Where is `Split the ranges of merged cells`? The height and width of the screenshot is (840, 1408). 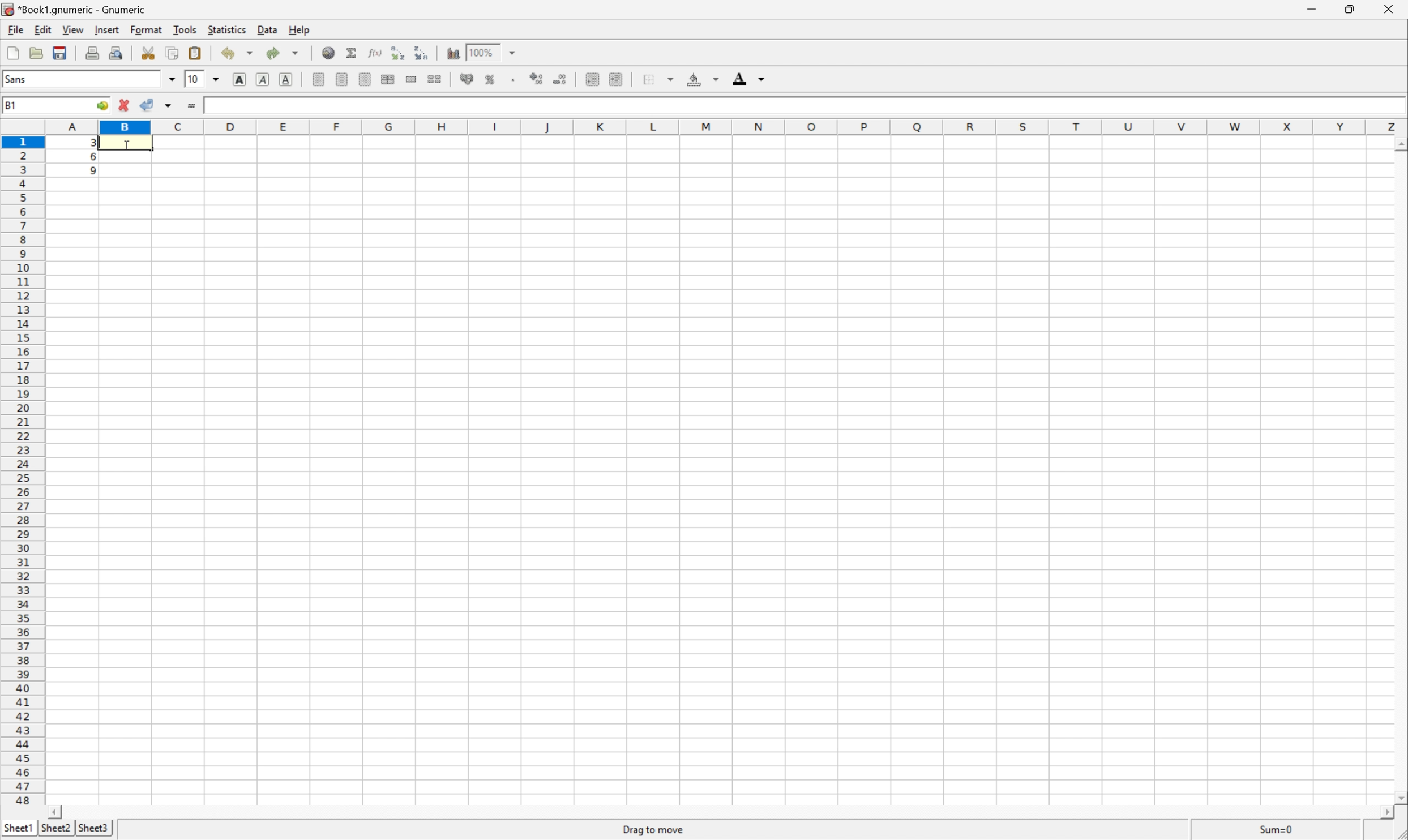
Split the ranges of merged cells is located at coordinates (434, 79).